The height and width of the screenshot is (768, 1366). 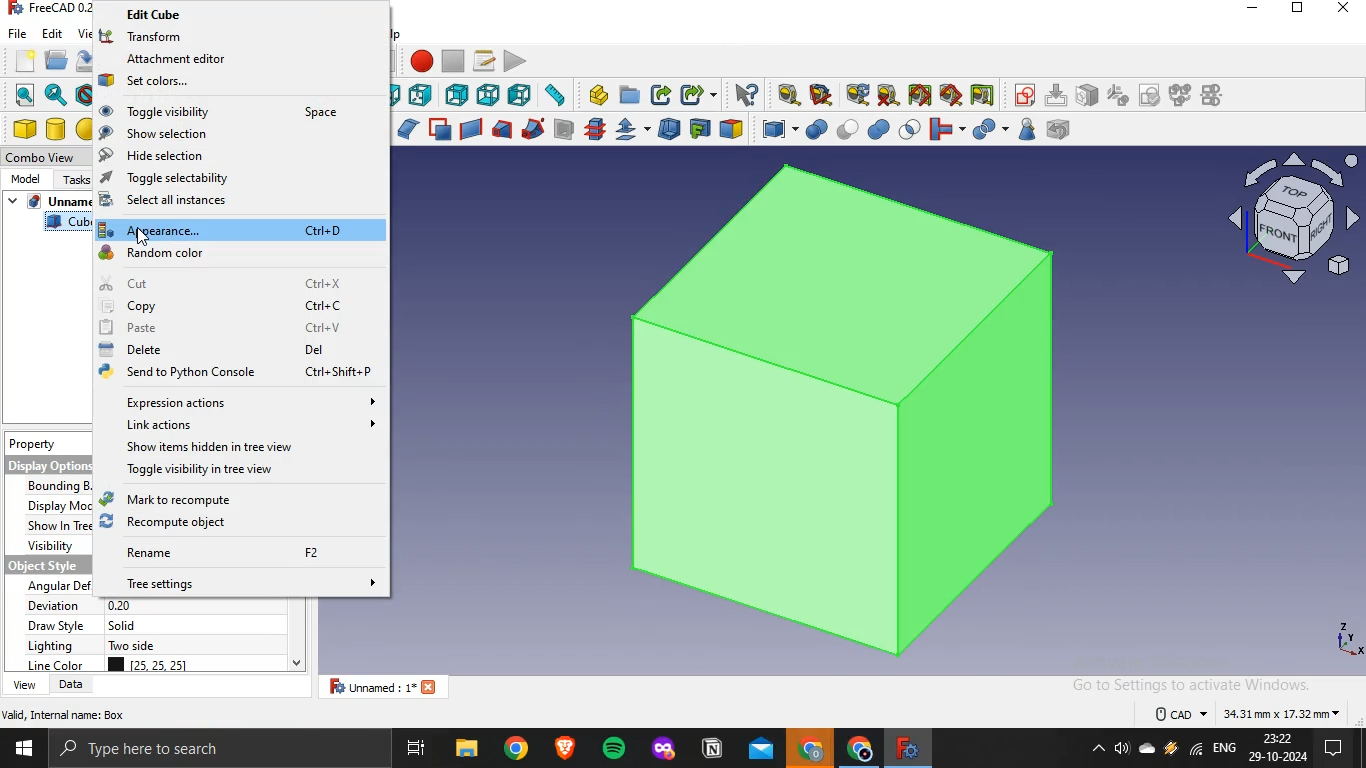 What do you see at coordinates (816, 129) in the screenshot?
I see `boolean` at bounding box center [816, 129].